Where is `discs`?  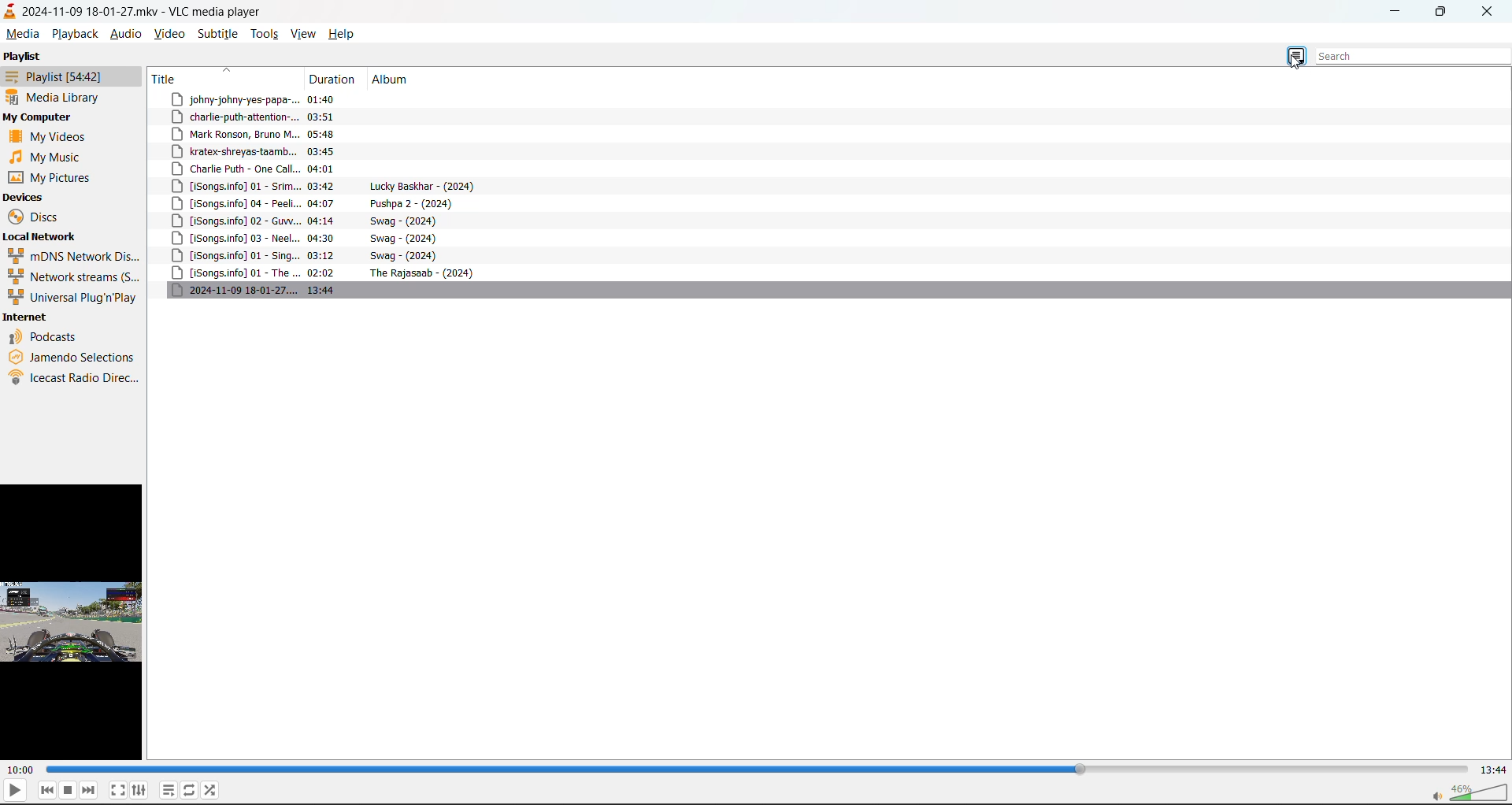
discs is located at coordinates (38, 216).